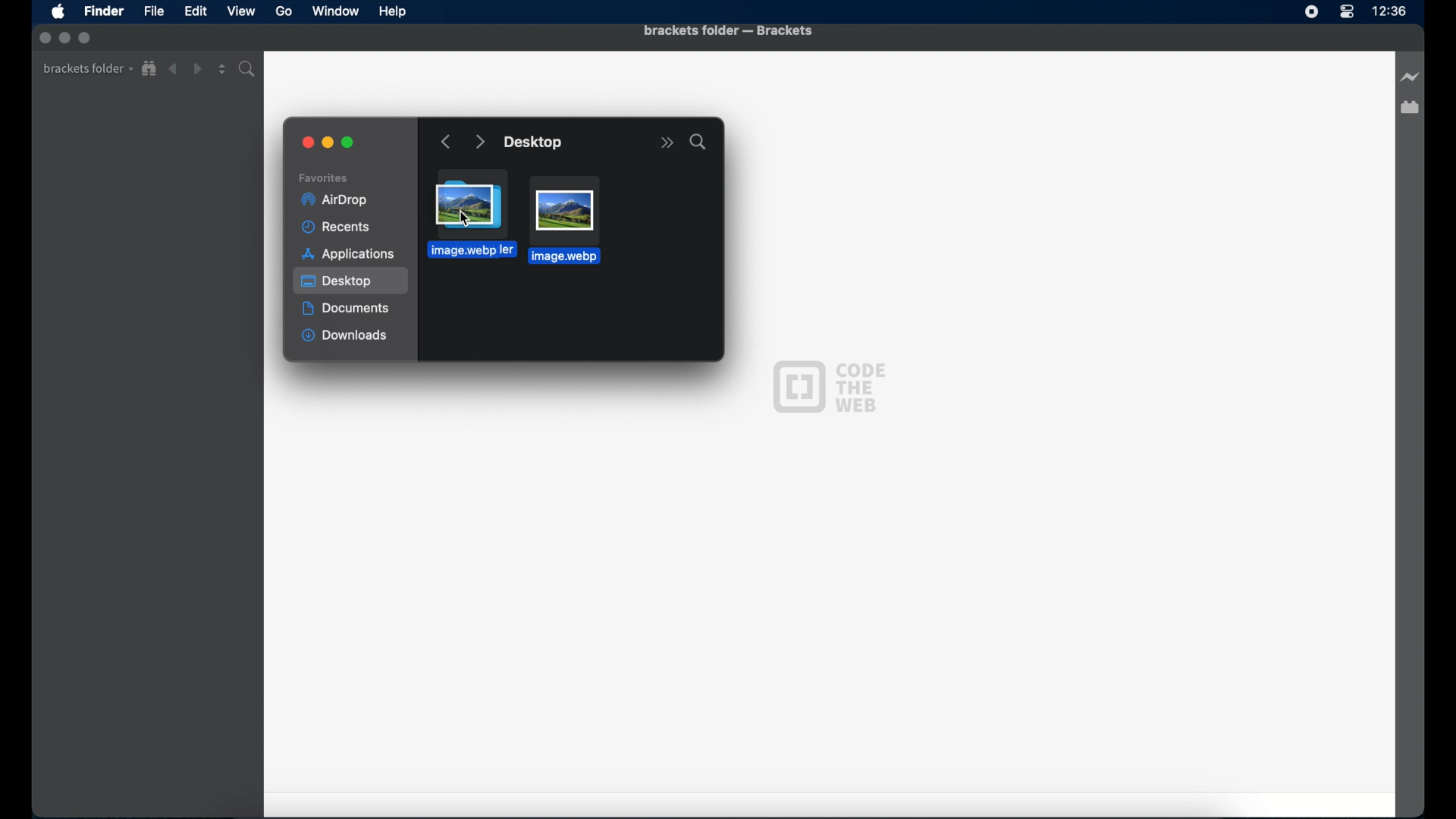 The width and height of the screenshot is (1456, 819). What do you see at coordinates (352, 281) in the screenshot?
I see `desktop` at bounding box center [352, 281].